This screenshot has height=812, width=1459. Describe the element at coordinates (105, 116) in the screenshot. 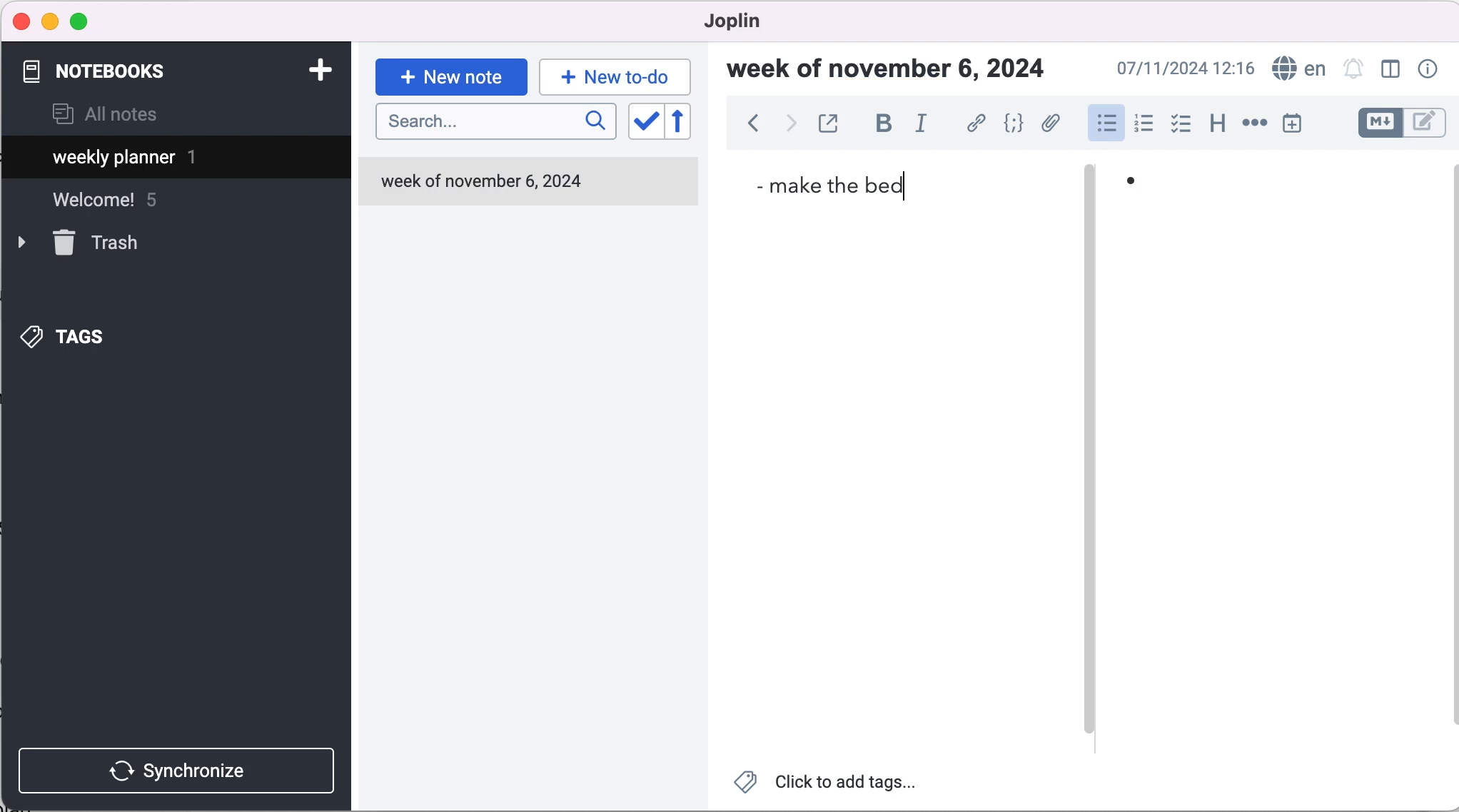

I see `all notes` at that location.